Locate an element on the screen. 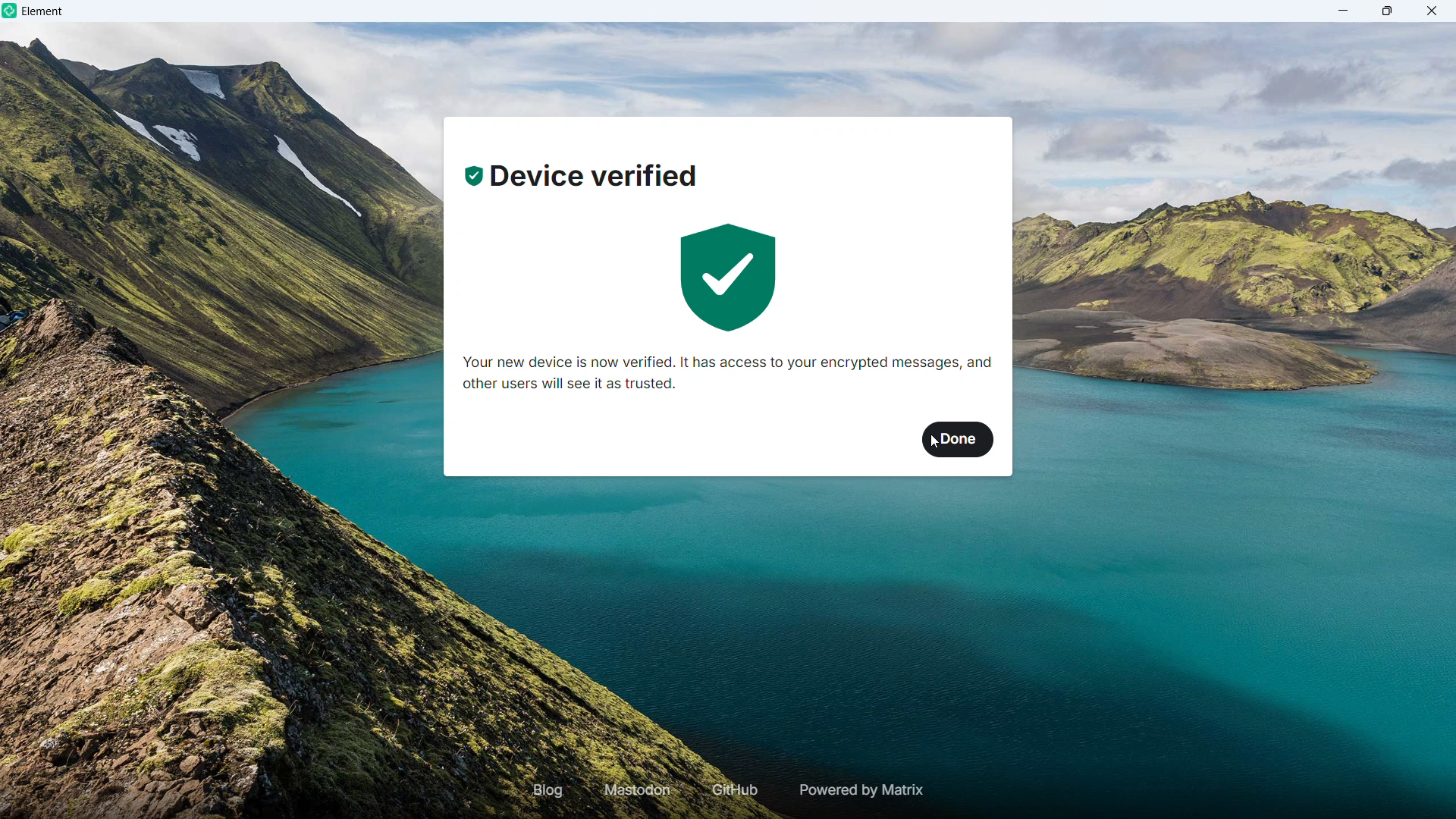  minimize is located at coordinates (1344, 11).